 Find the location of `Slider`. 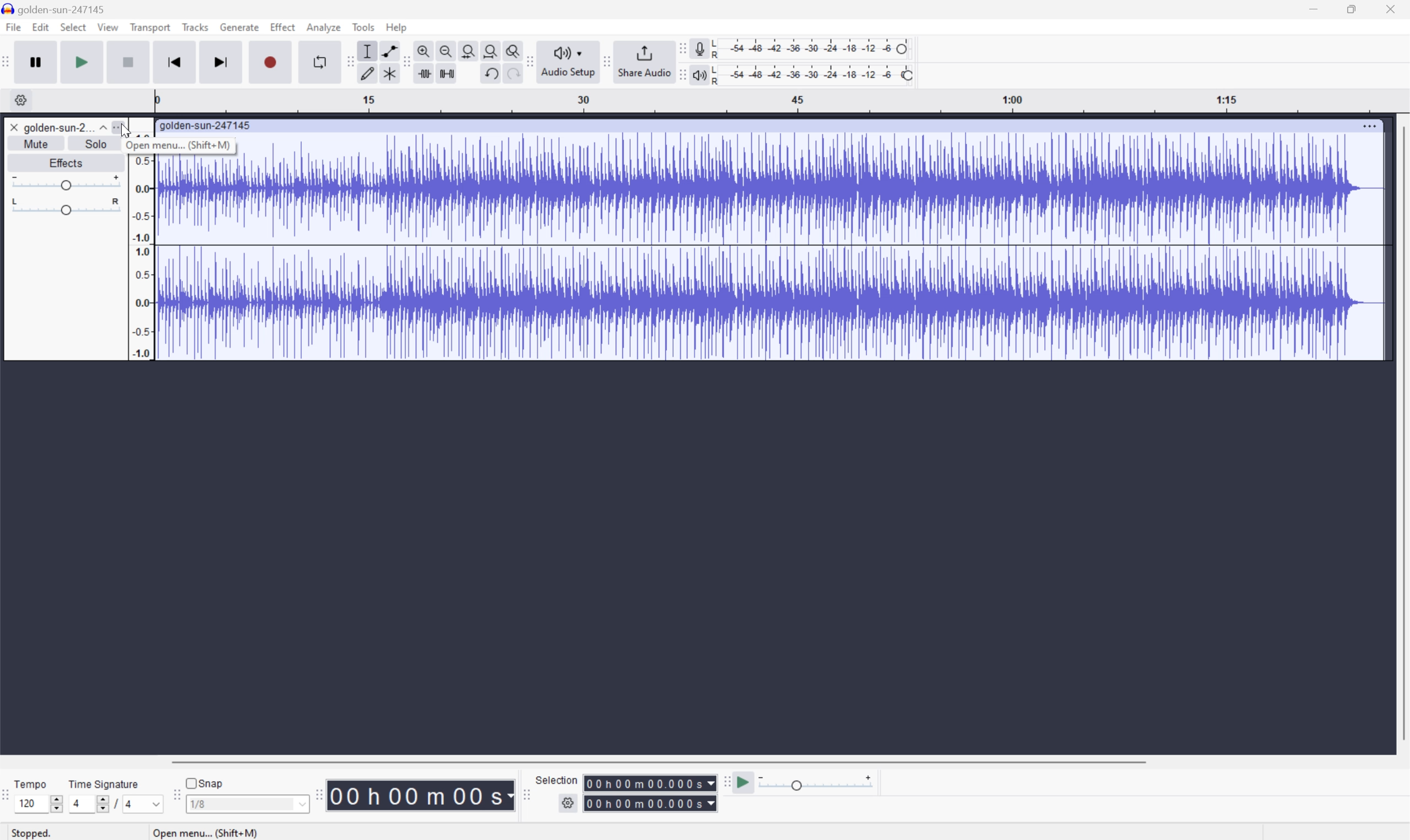

Slider is located at coordinates (54, 801).